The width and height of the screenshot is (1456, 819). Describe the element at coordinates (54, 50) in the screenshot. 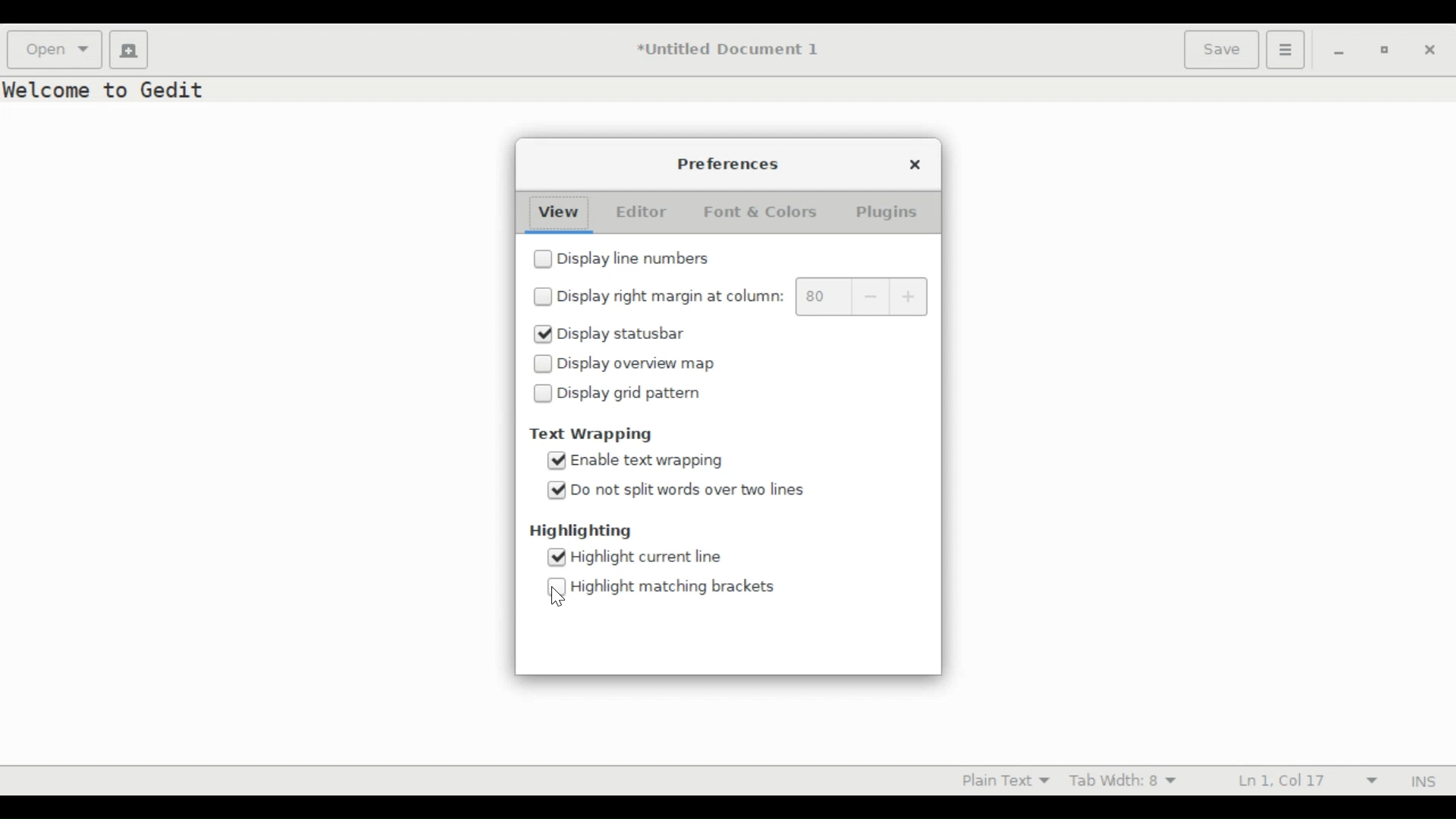

I see `Open` at that location.